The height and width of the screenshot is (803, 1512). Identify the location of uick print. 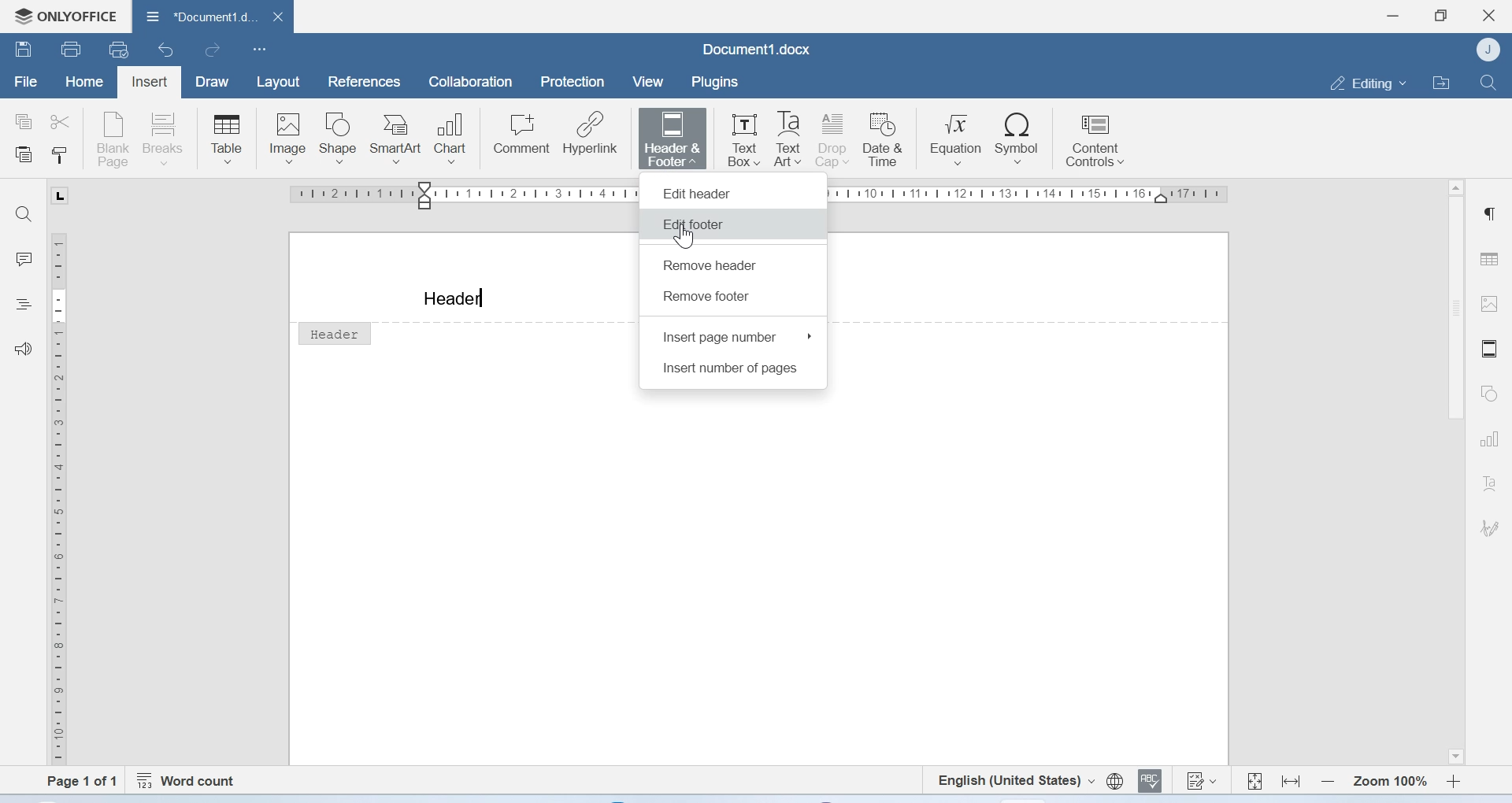
(121, 50).